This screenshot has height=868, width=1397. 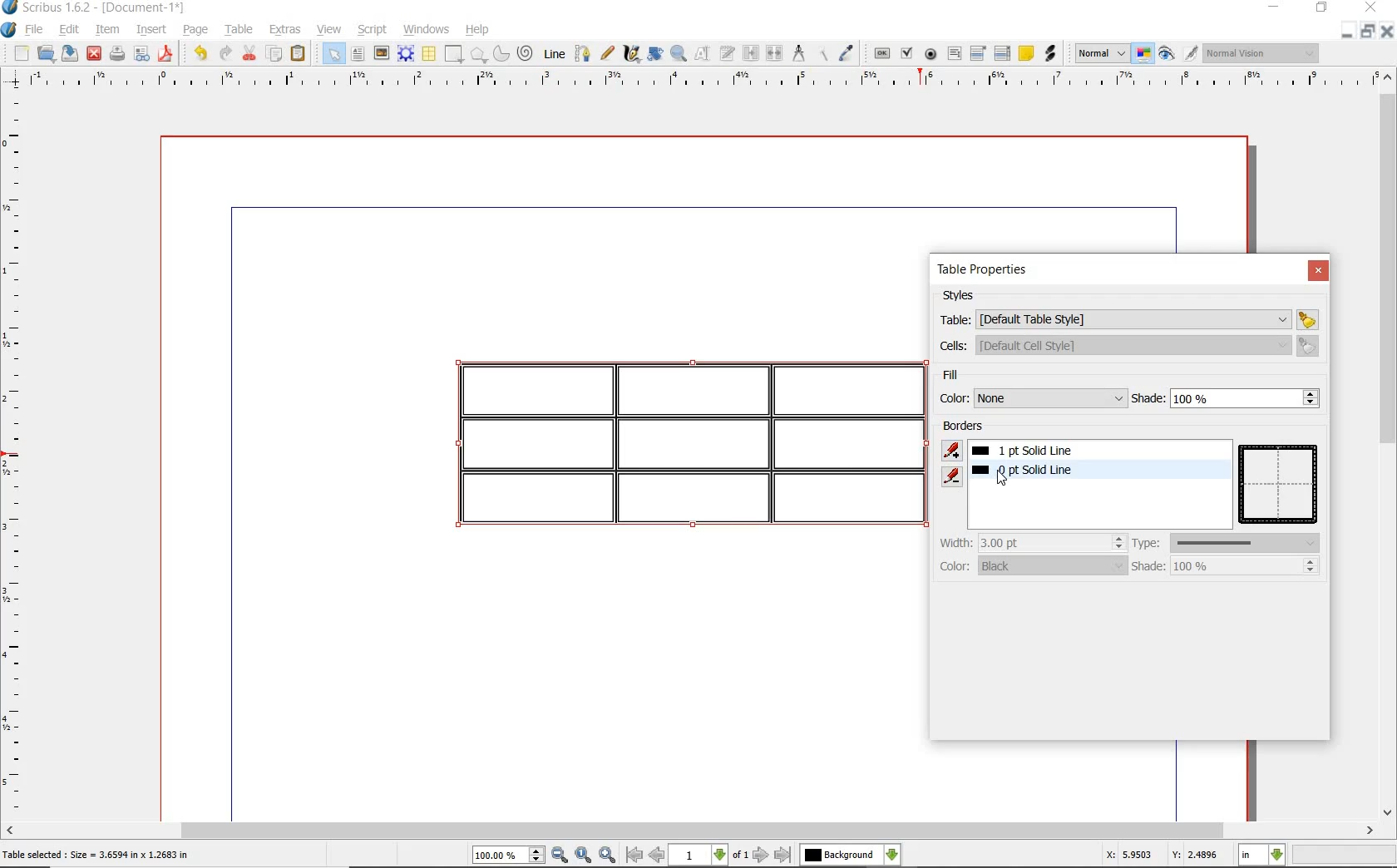 What do you see at coordinates (167, 55) in the screenshot?
I see `save as pdf` at bounding box center [167, 55].